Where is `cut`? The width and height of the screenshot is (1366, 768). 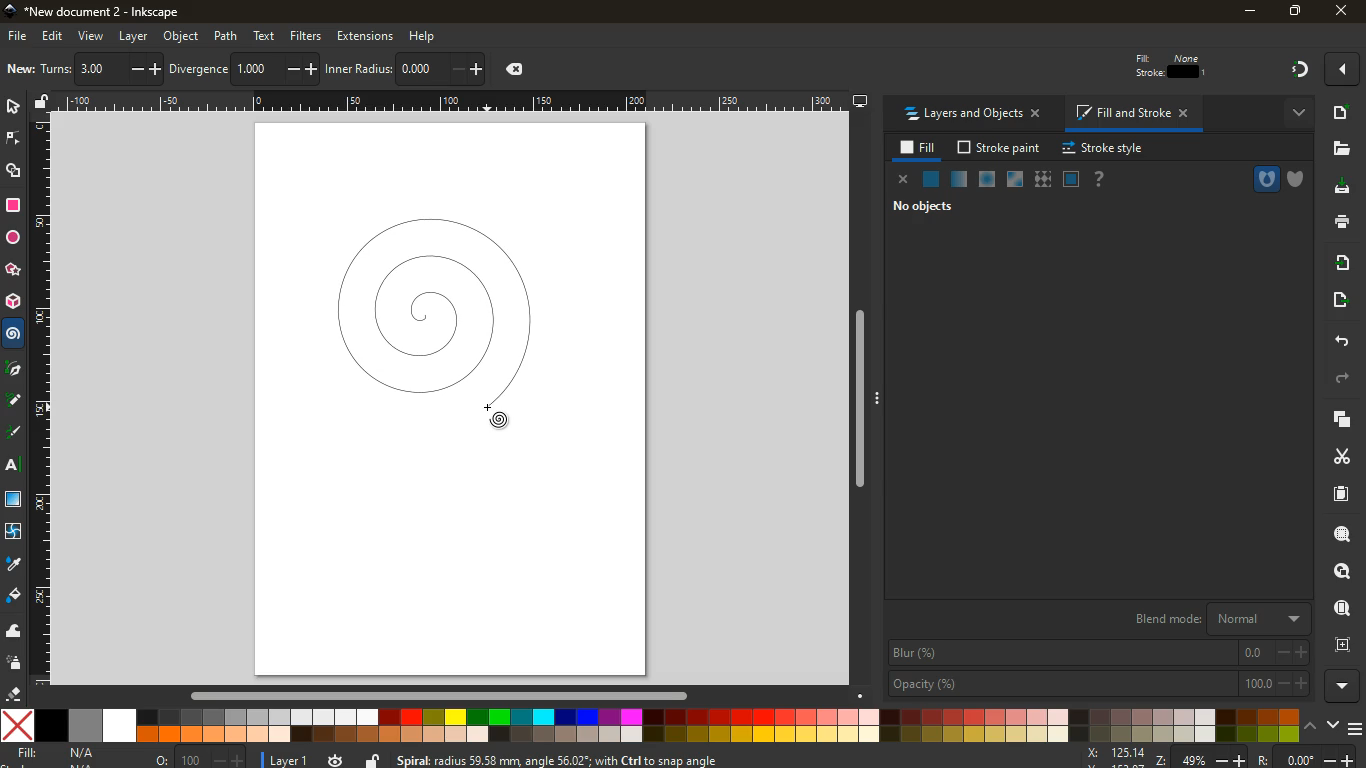 cut is located at coordinates (1333, 457).